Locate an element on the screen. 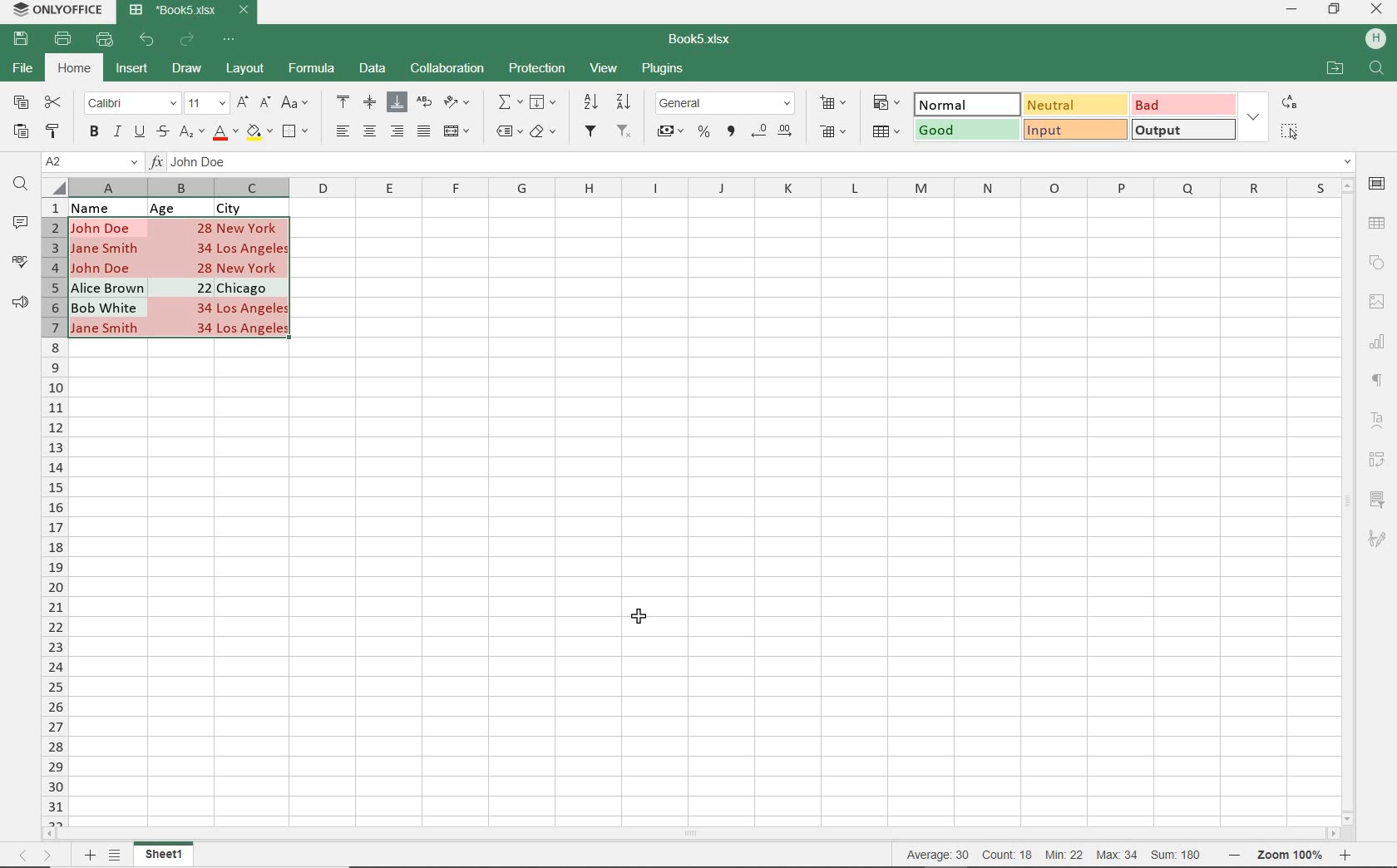 The height and width of the screenshot is (868, 1397). HP is located at coordinates (1375, 40).